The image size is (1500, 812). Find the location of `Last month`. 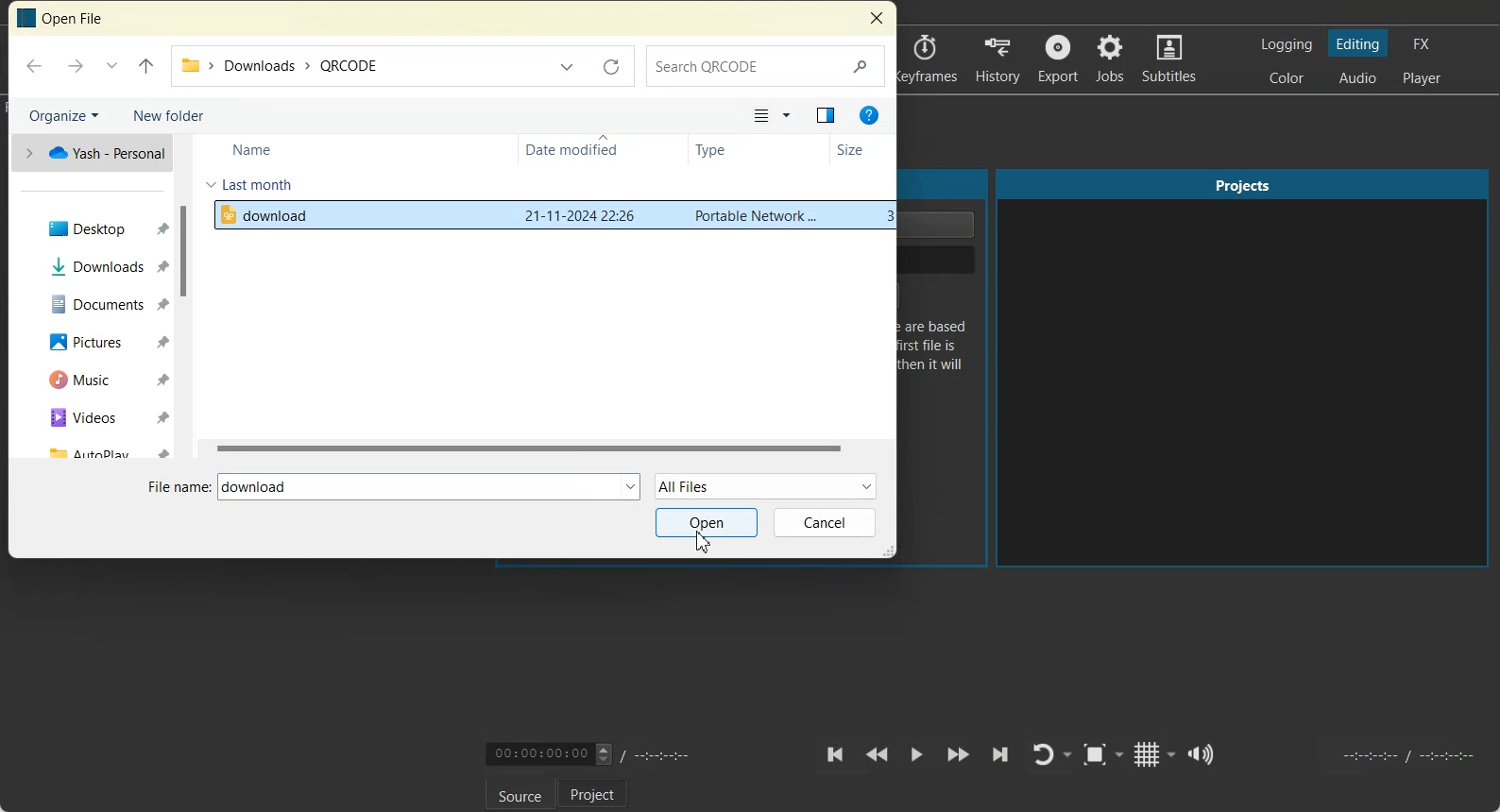

Last month is located at coordinates (250, 184).